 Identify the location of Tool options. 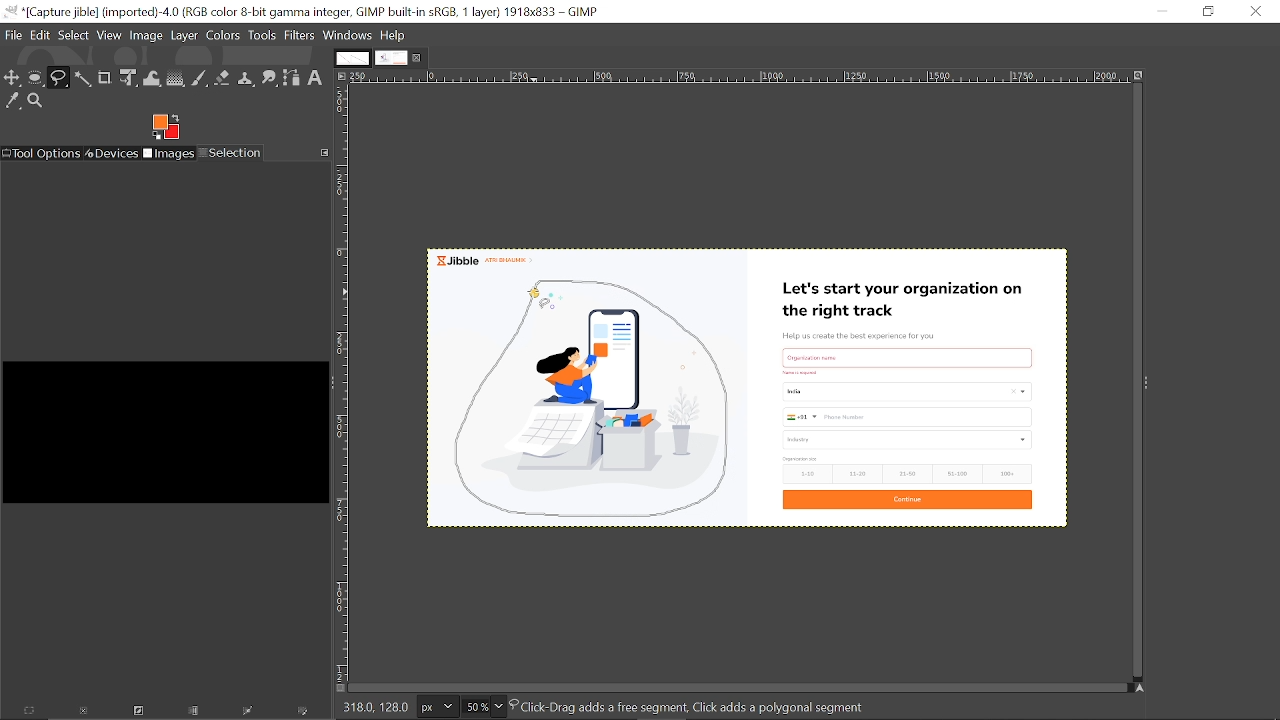
(42, 153).